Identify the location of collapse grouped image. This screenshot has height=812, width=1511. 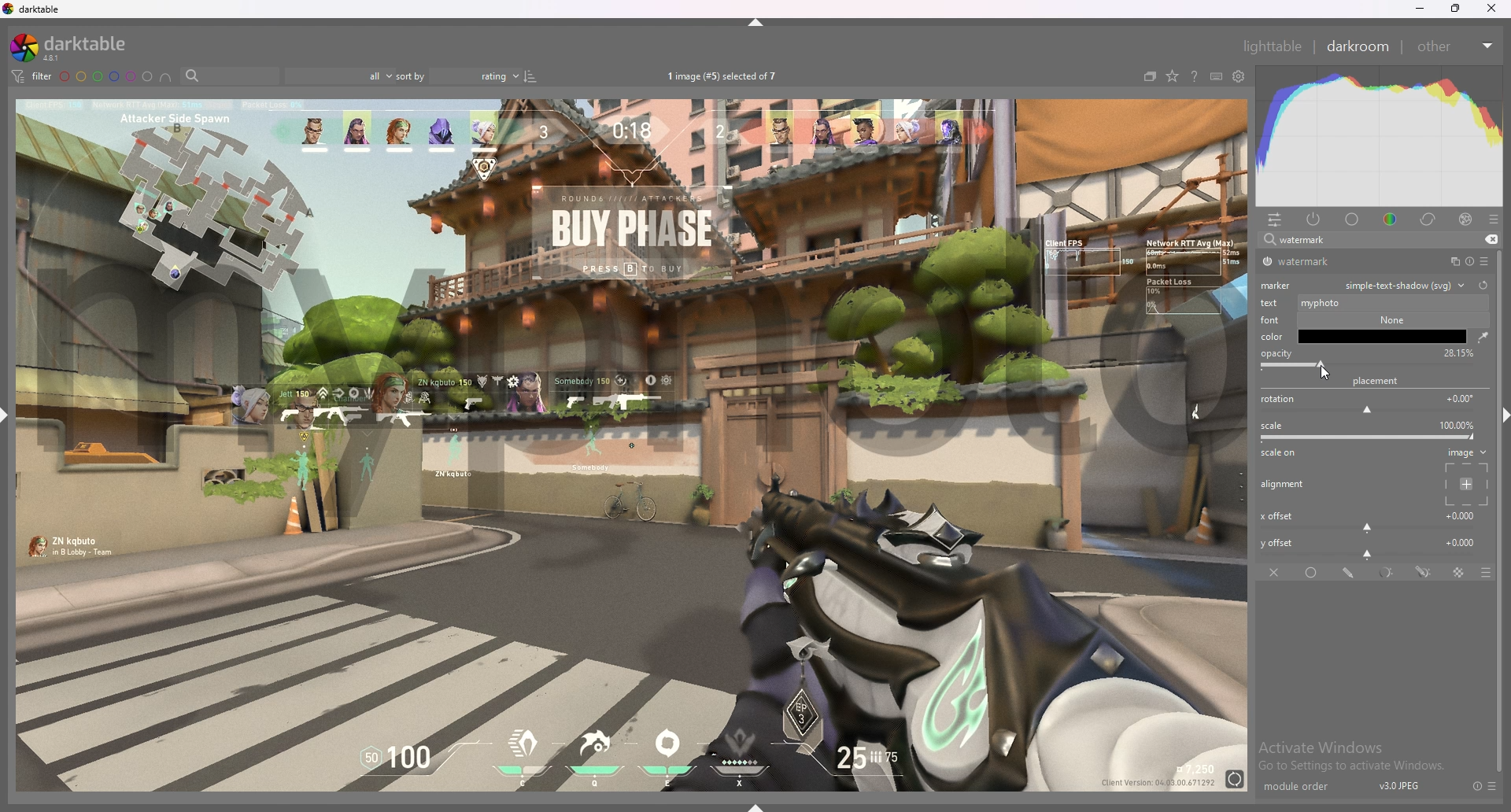
(1150, 76).